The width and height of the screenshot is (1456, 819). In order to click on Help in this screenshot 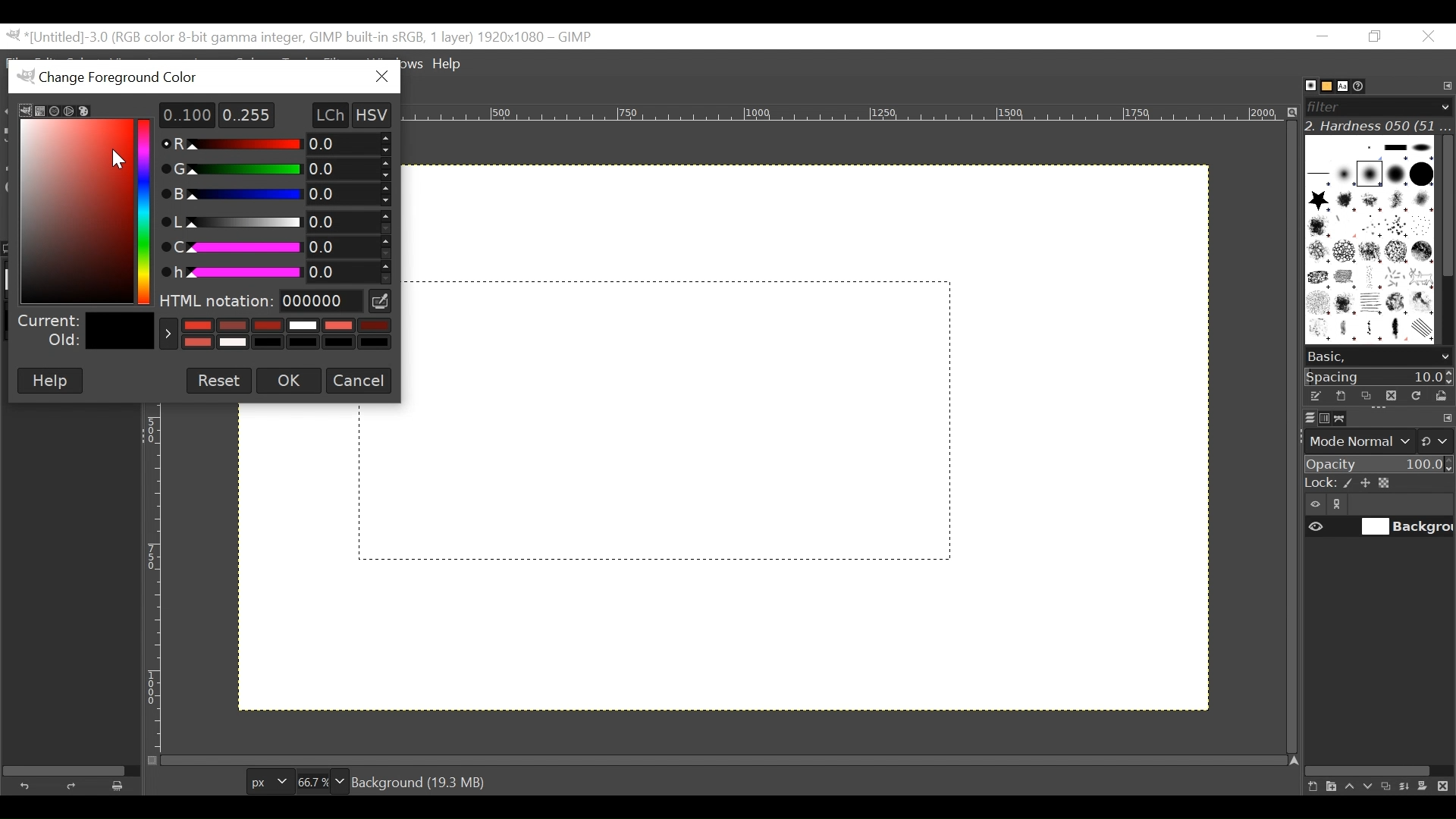, I will do `click(450, 65)`.